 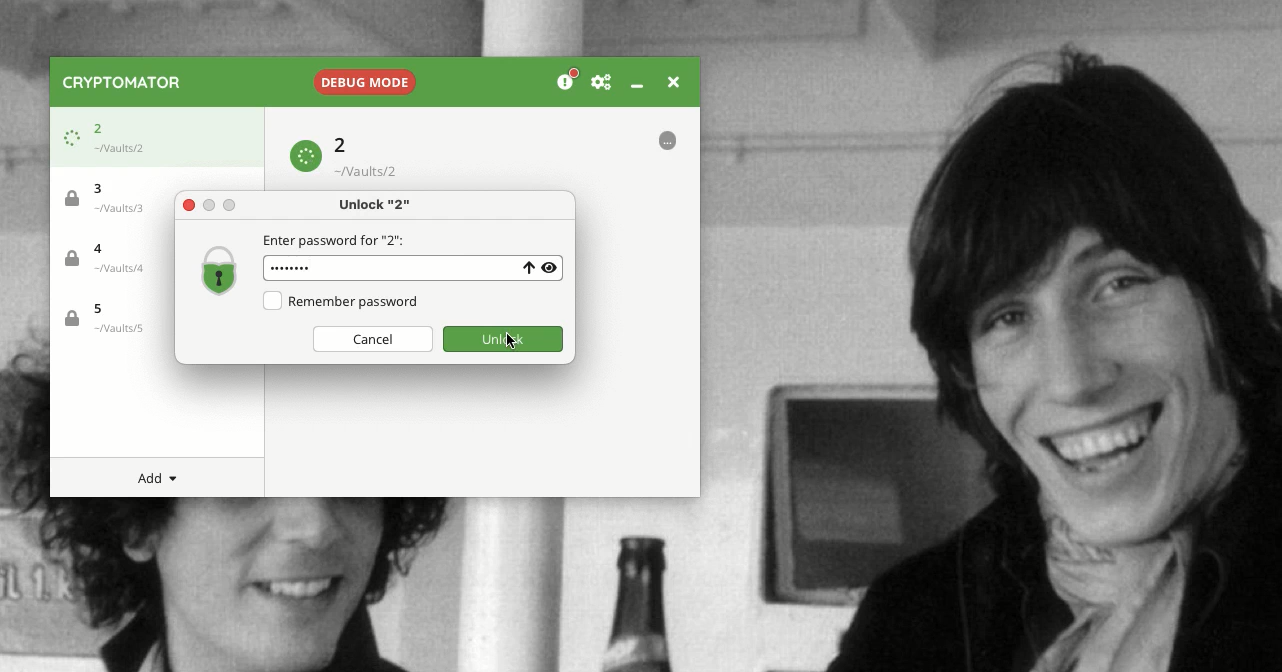 I want to click on Close, so click(x=671, y=80).